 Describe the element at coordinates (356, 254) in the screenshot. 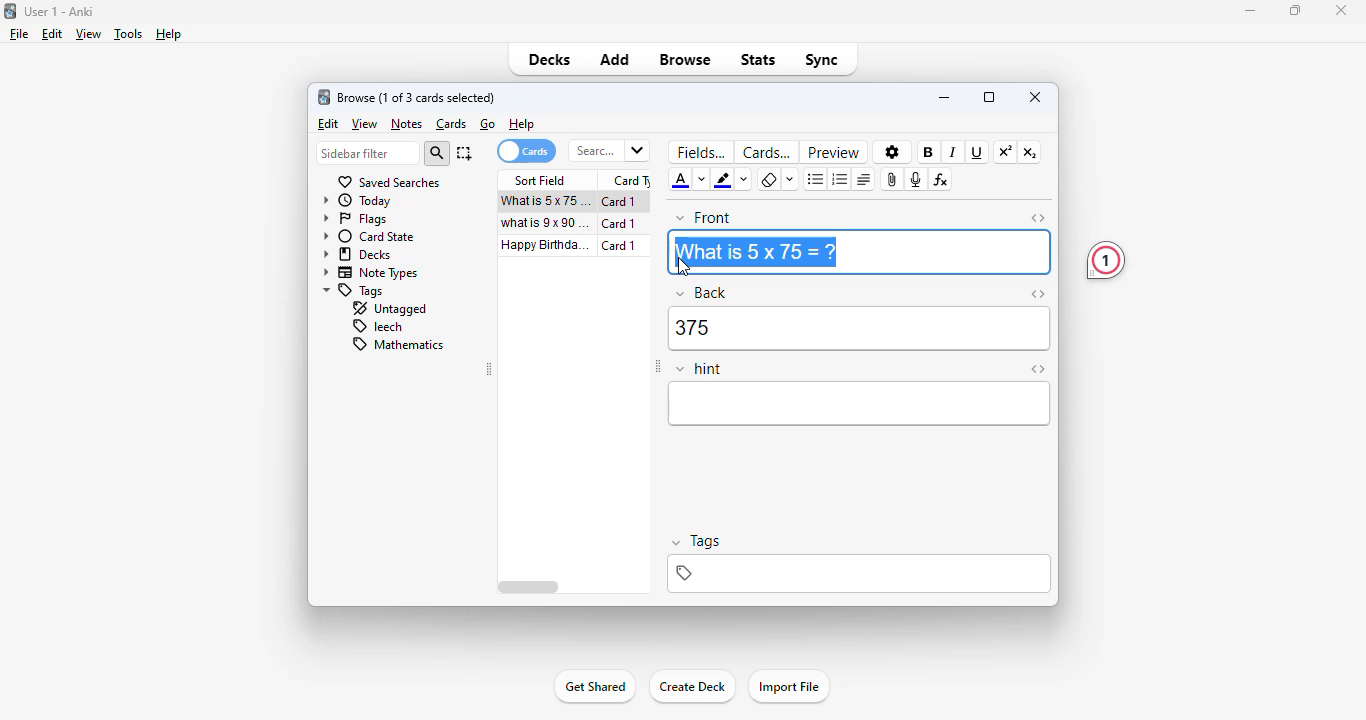

I see `decks` at that location.